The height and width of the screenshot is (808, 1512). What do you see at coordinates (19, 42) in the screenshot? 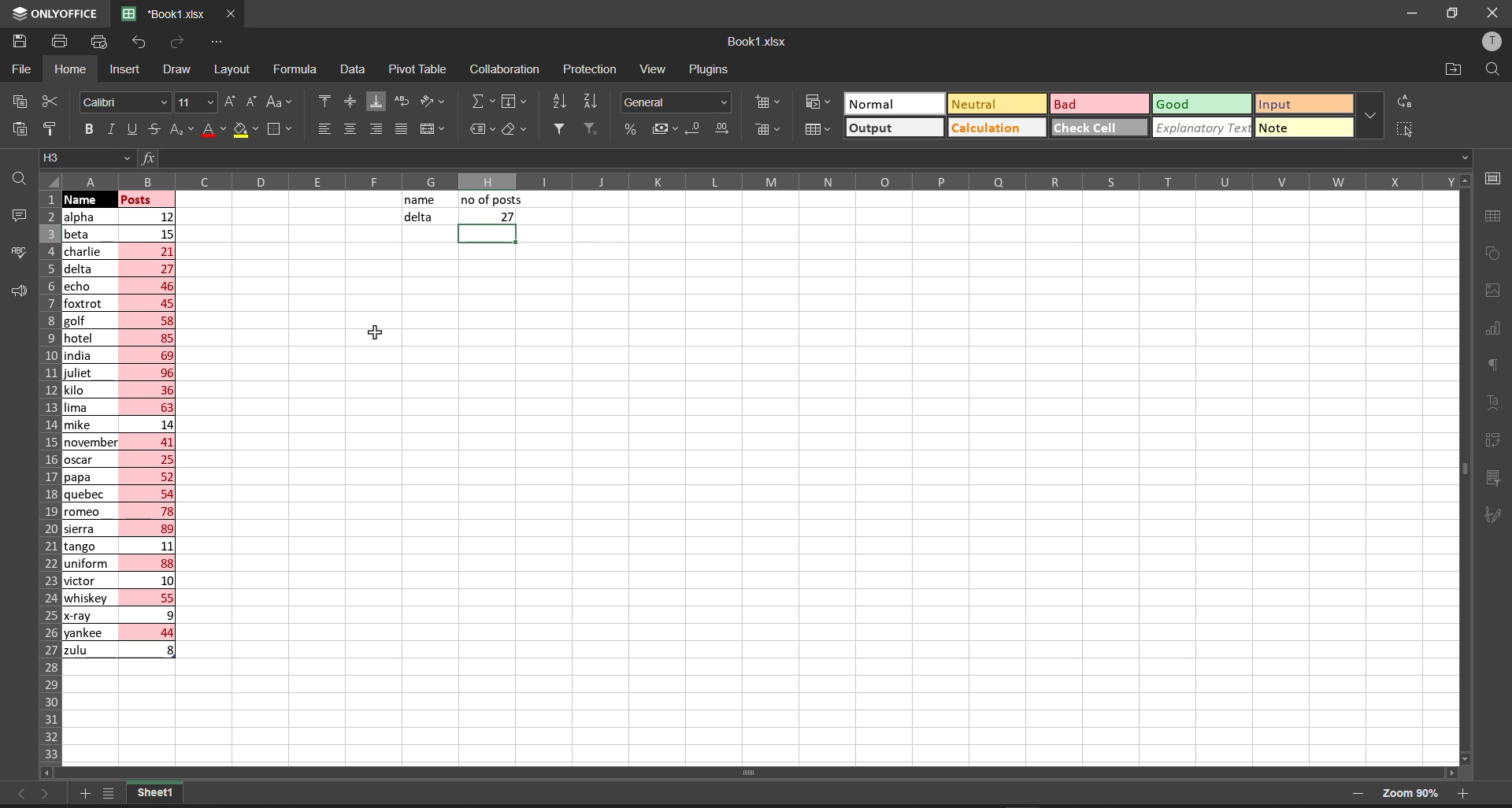
I see `save` at bounding box center [19, 42].